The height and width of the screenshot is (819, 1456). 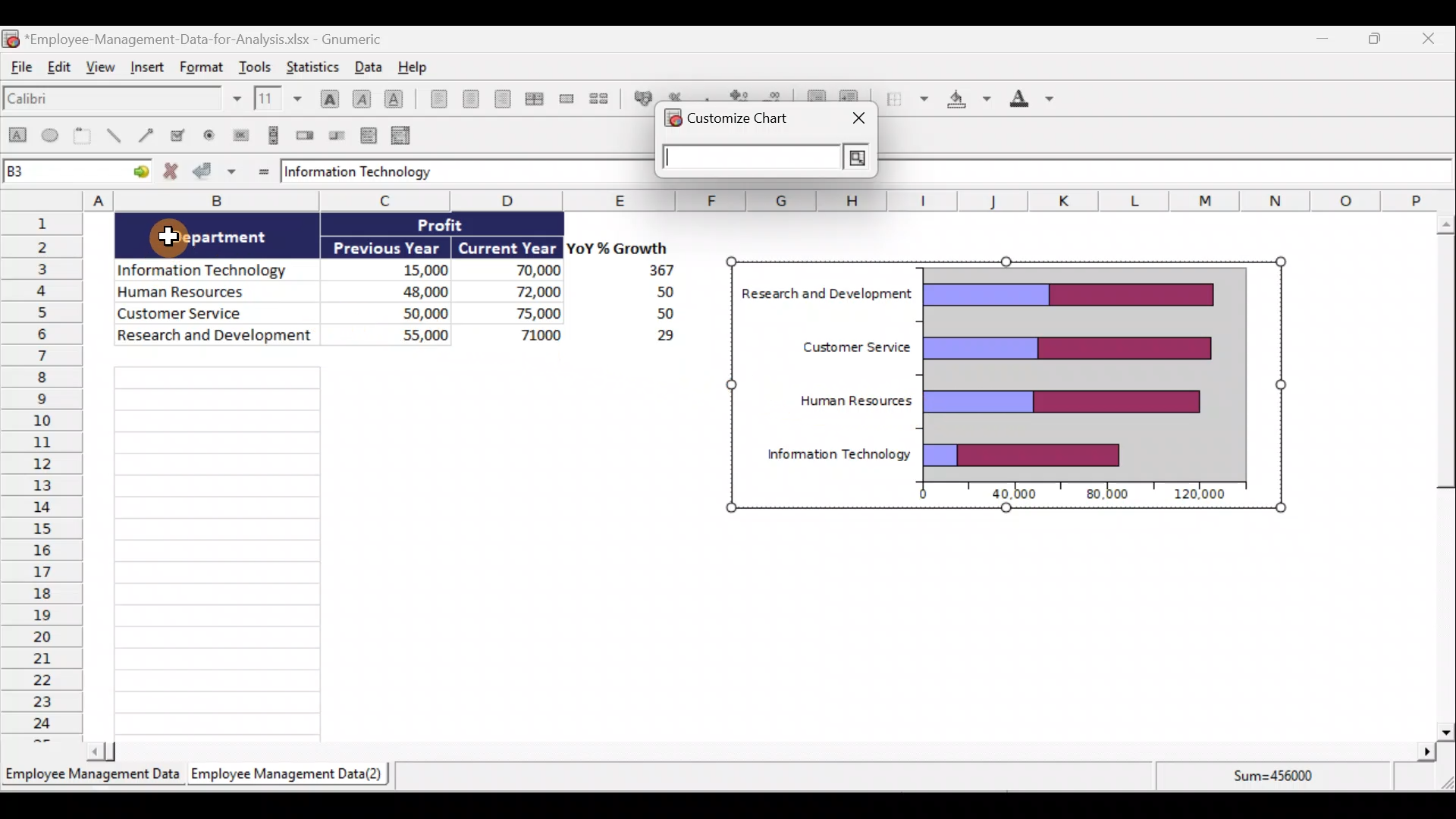 I want to click on Chart, so click(x=1084, y=370).